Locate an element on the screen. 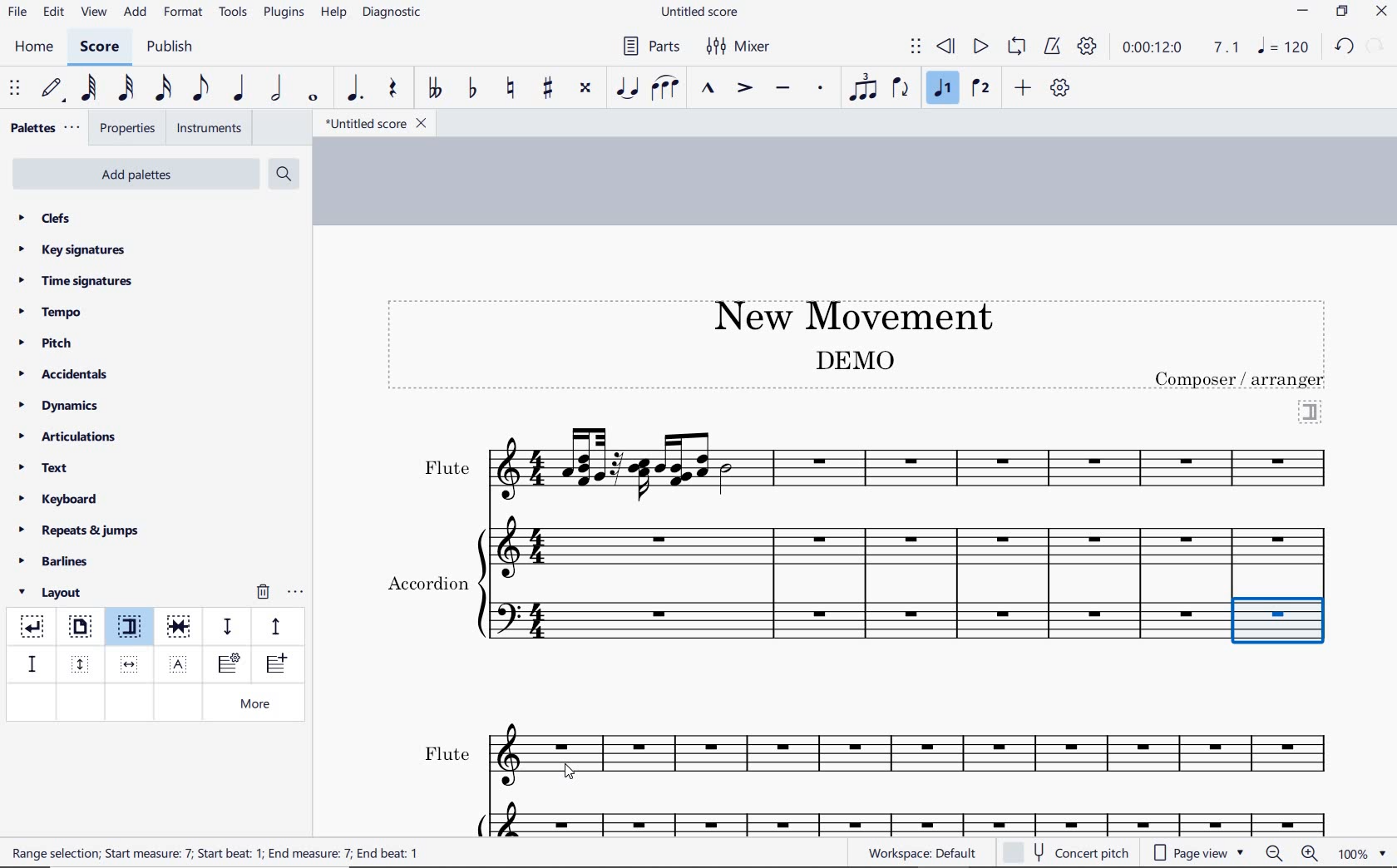 This screenshot has width=1397, height=868. rest is located at coordinates (393, 90).